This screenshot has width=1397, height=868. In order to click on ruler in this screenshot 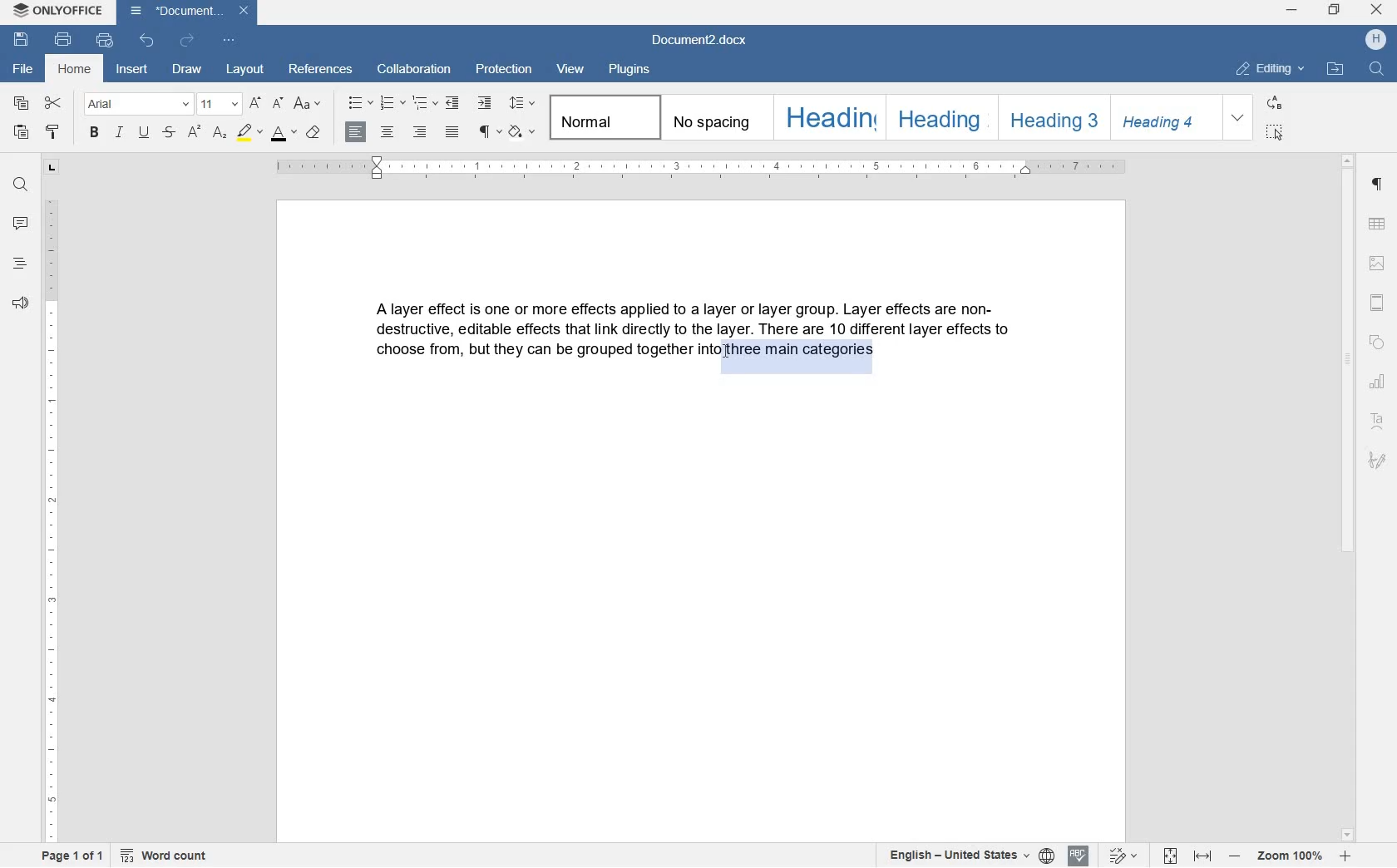, I will do `click(52, 520)`.